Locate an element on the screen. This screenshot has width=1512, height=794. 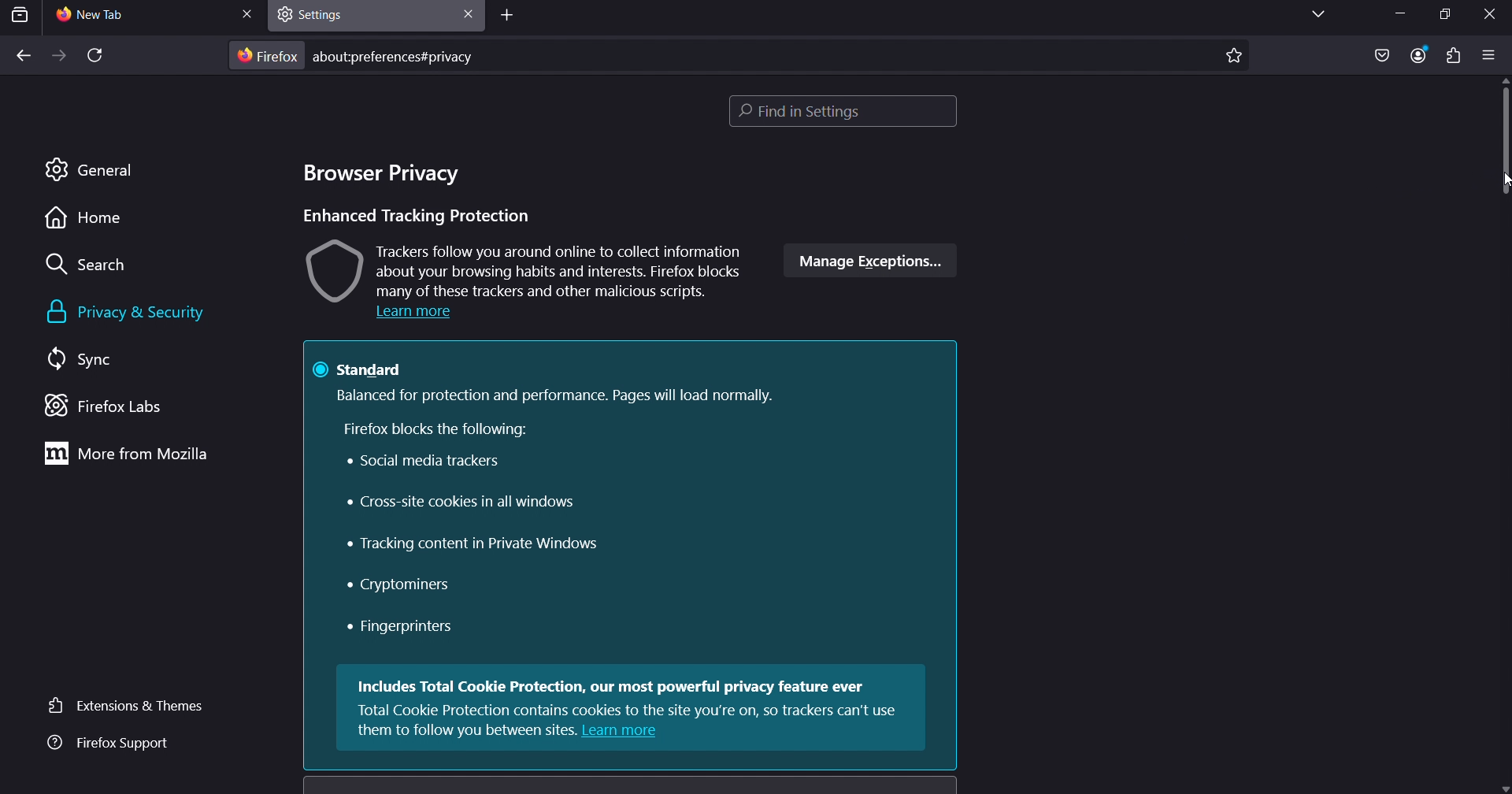
extensions & themes is located at coordinates (121, 704).